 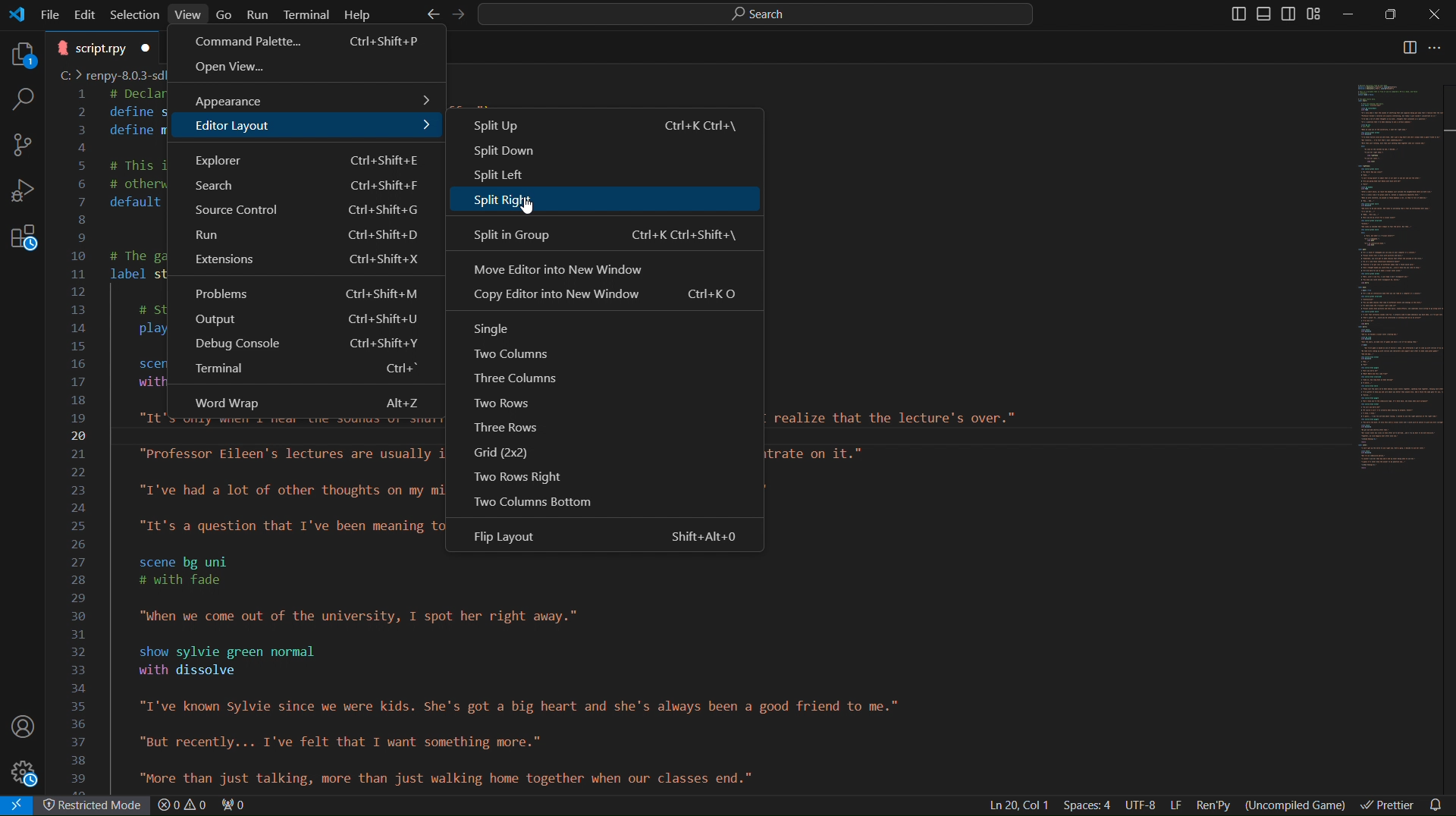 I want to click on Settings, so click(x=27, y=774).